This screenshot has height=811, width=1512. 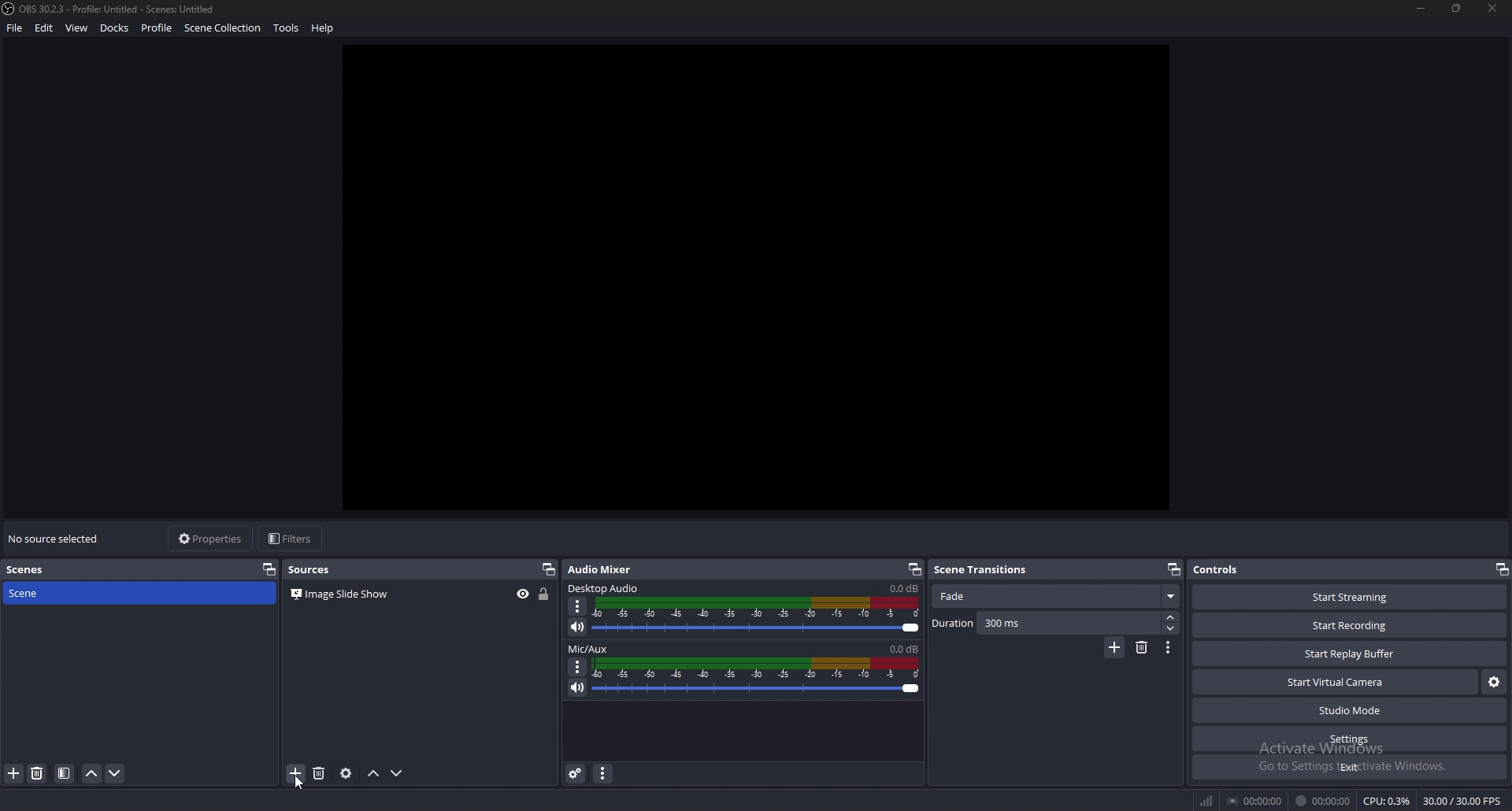 I want to click on pop out, so click(x=1174, y=569).